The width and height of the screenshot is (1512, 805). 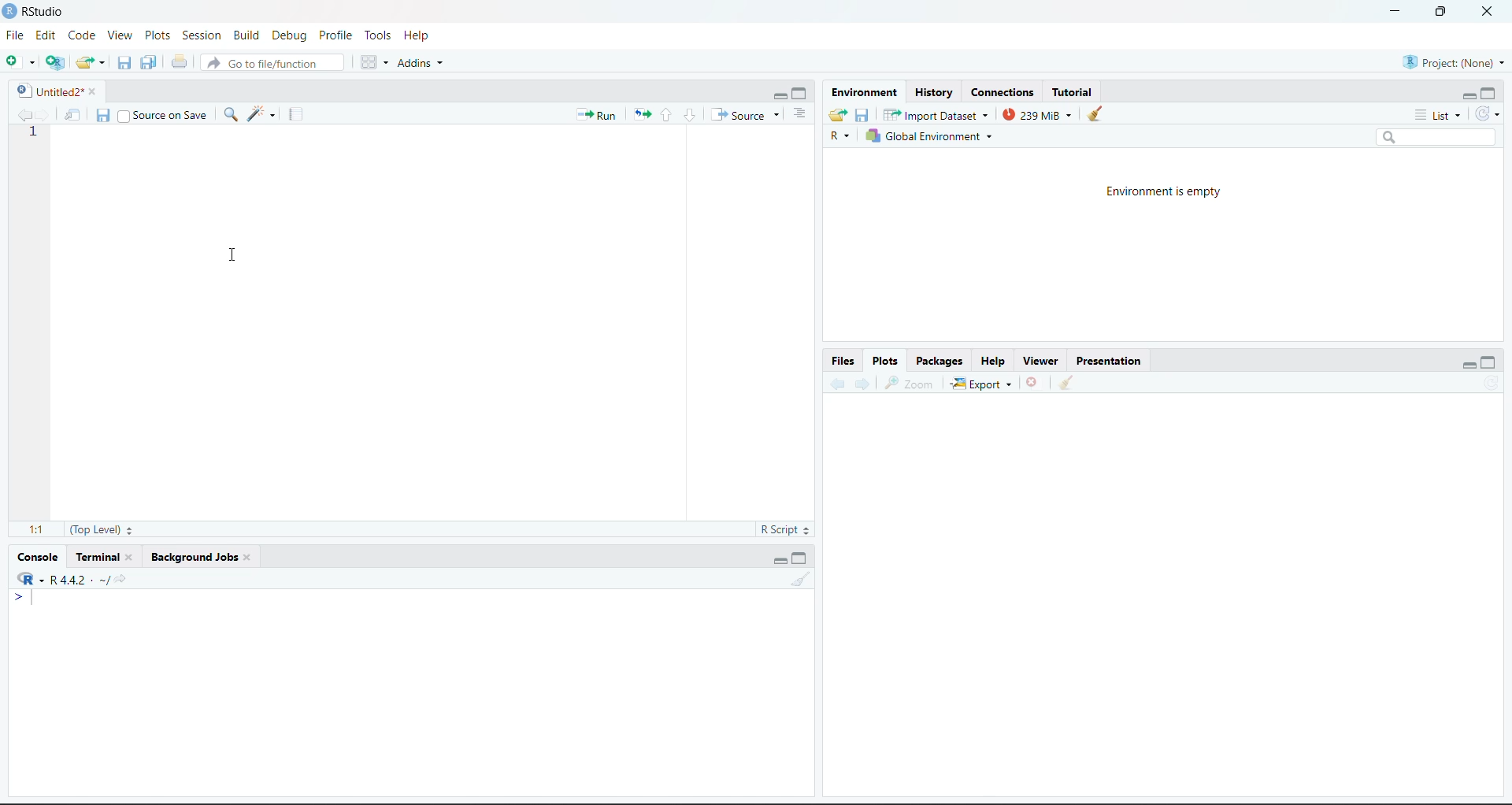 I want to click on Show in new window, so click(x=74, y=114).